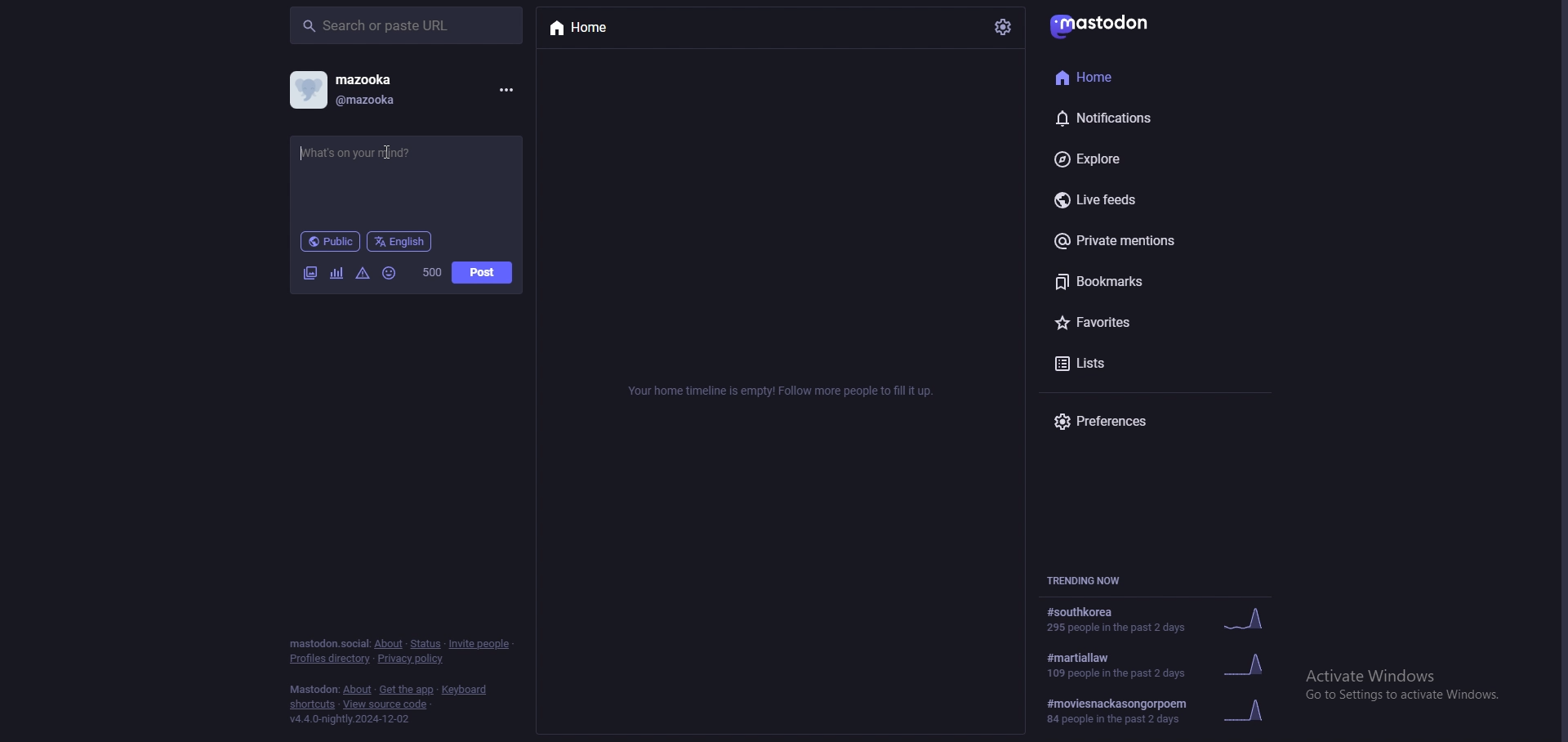  I want to click on warnings, so click(362, 274).